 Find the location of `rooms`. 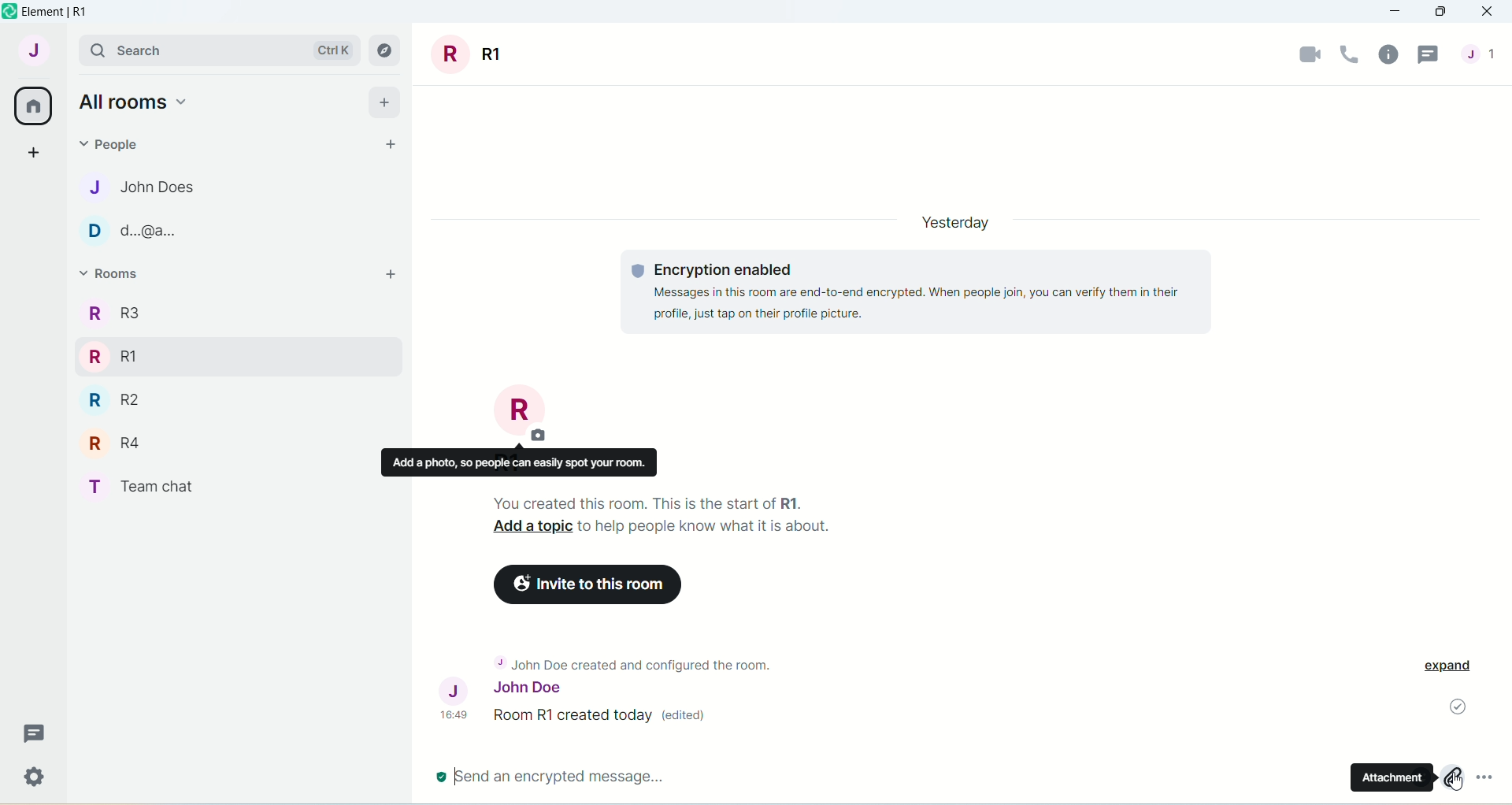

rooms is located at coordinates (115, 270).